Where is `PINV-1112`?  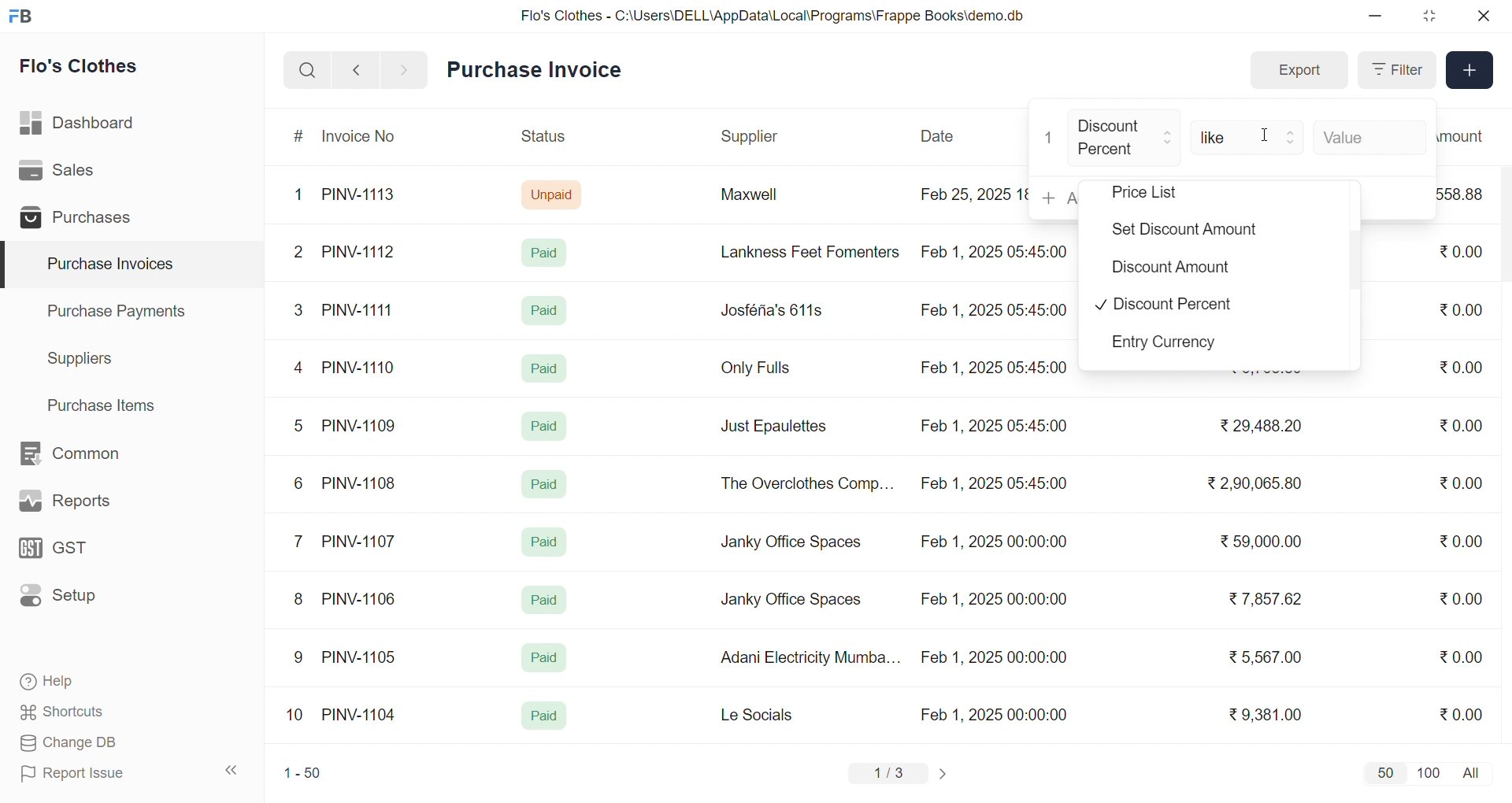 PINV-1112 is located at coordinates (358, 253).